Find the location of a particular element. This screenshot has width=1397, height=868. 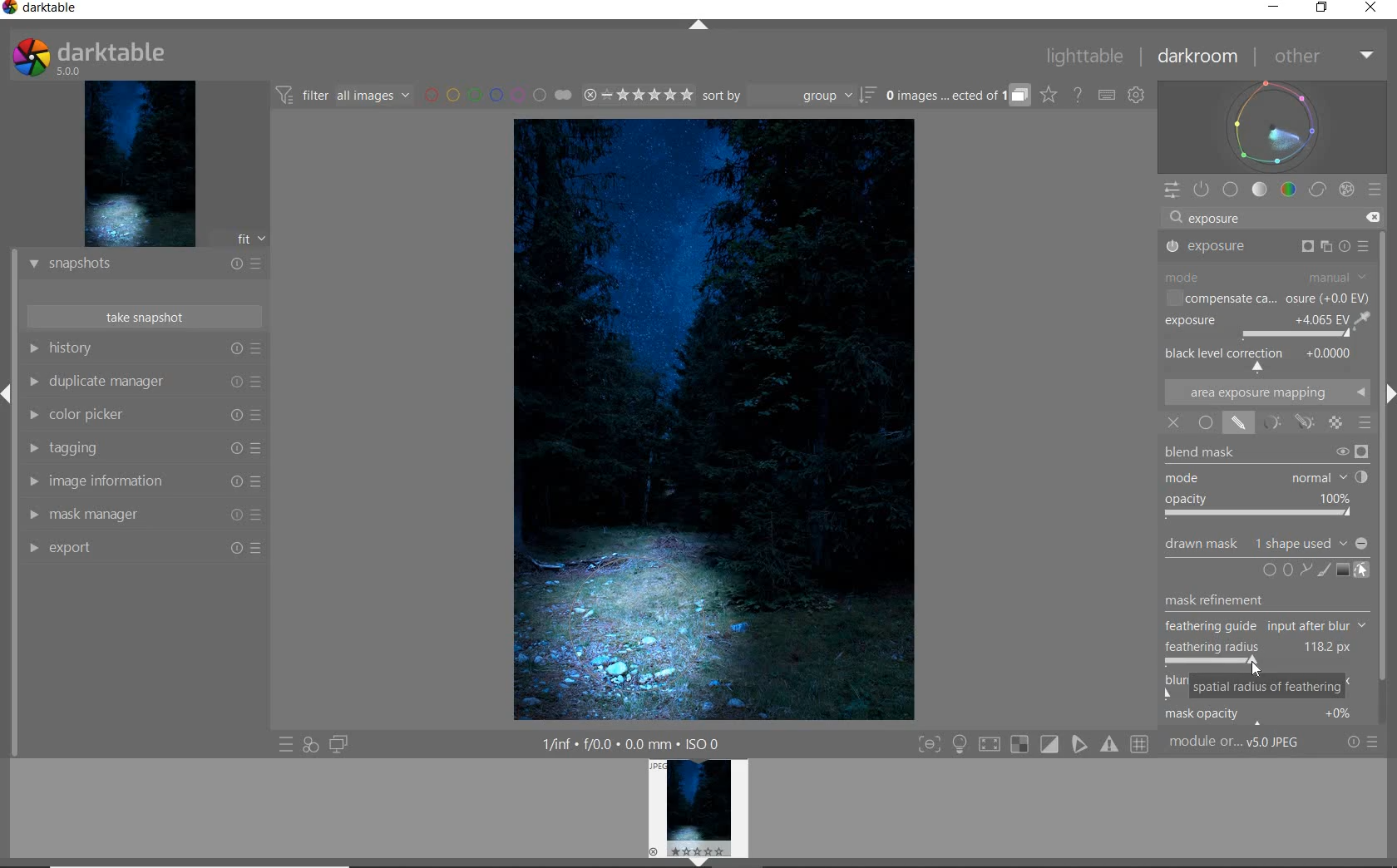

CORRECT is located at coordinates (1319, 189).